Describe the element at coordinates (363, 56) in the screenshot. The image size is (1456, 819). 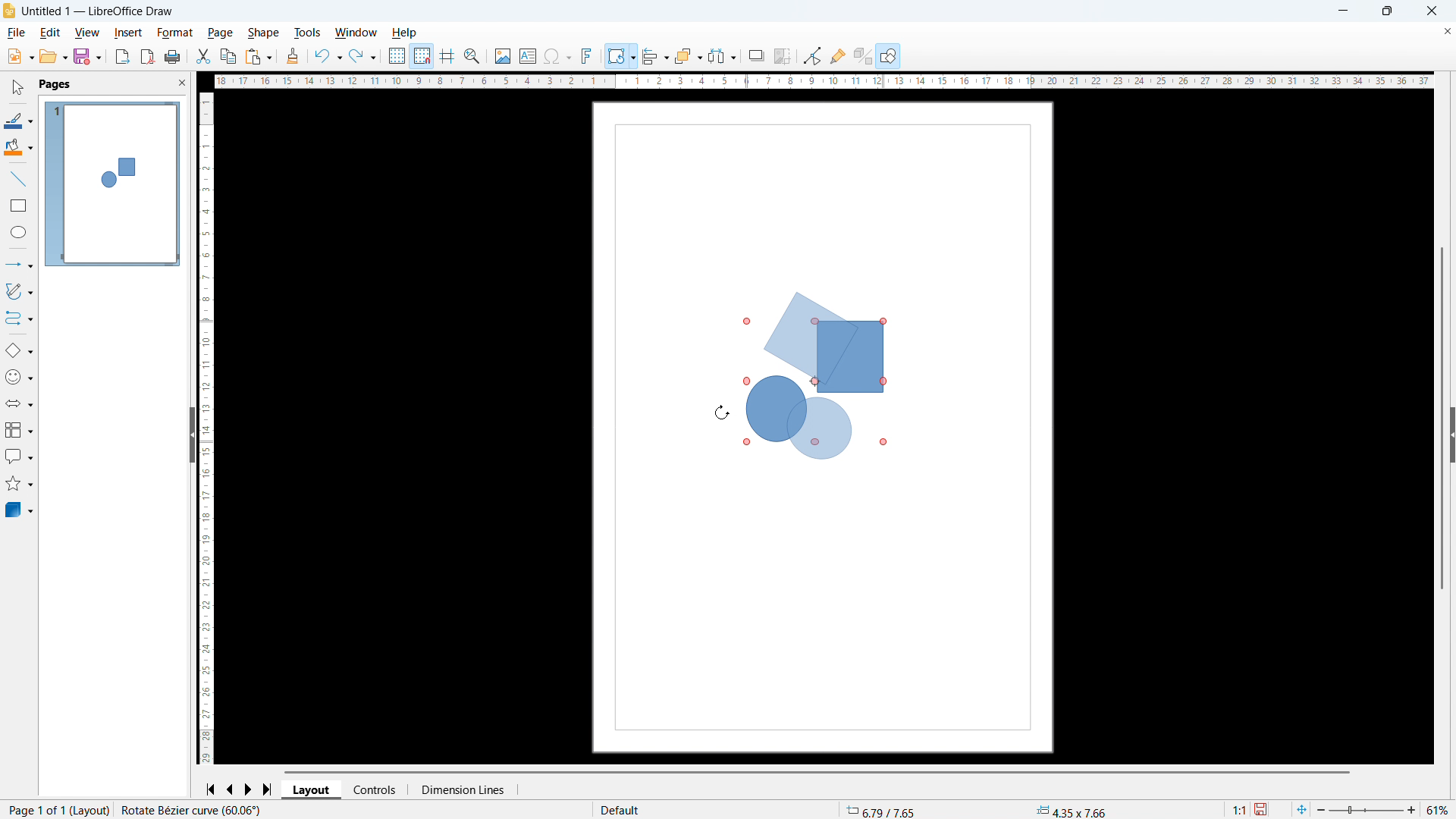
I see `redo ` at that location.